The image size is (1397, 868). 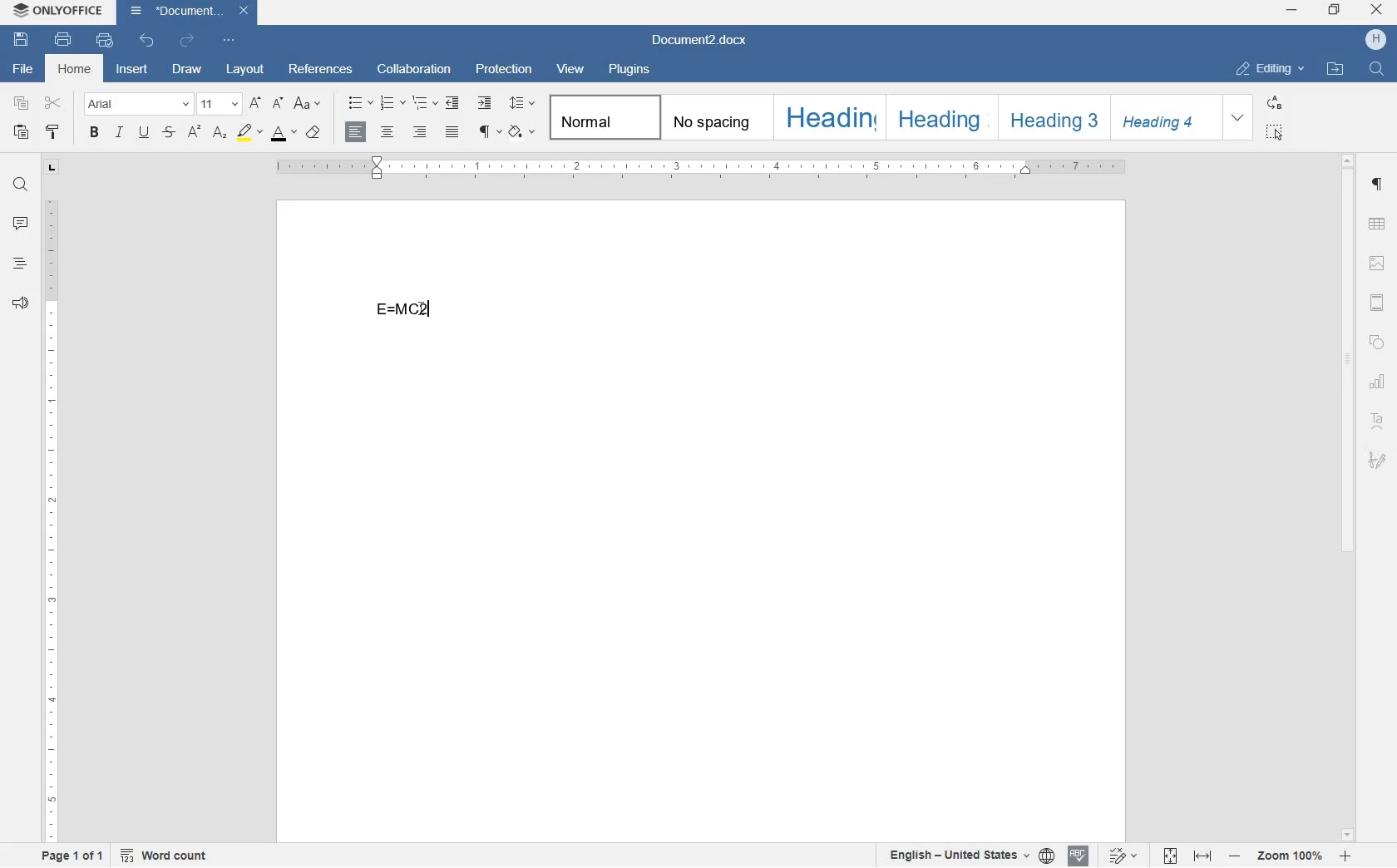 What do you see at coordinates (55, 101) in the screenshot?
I see `cut` at bounding box center [55, 101].